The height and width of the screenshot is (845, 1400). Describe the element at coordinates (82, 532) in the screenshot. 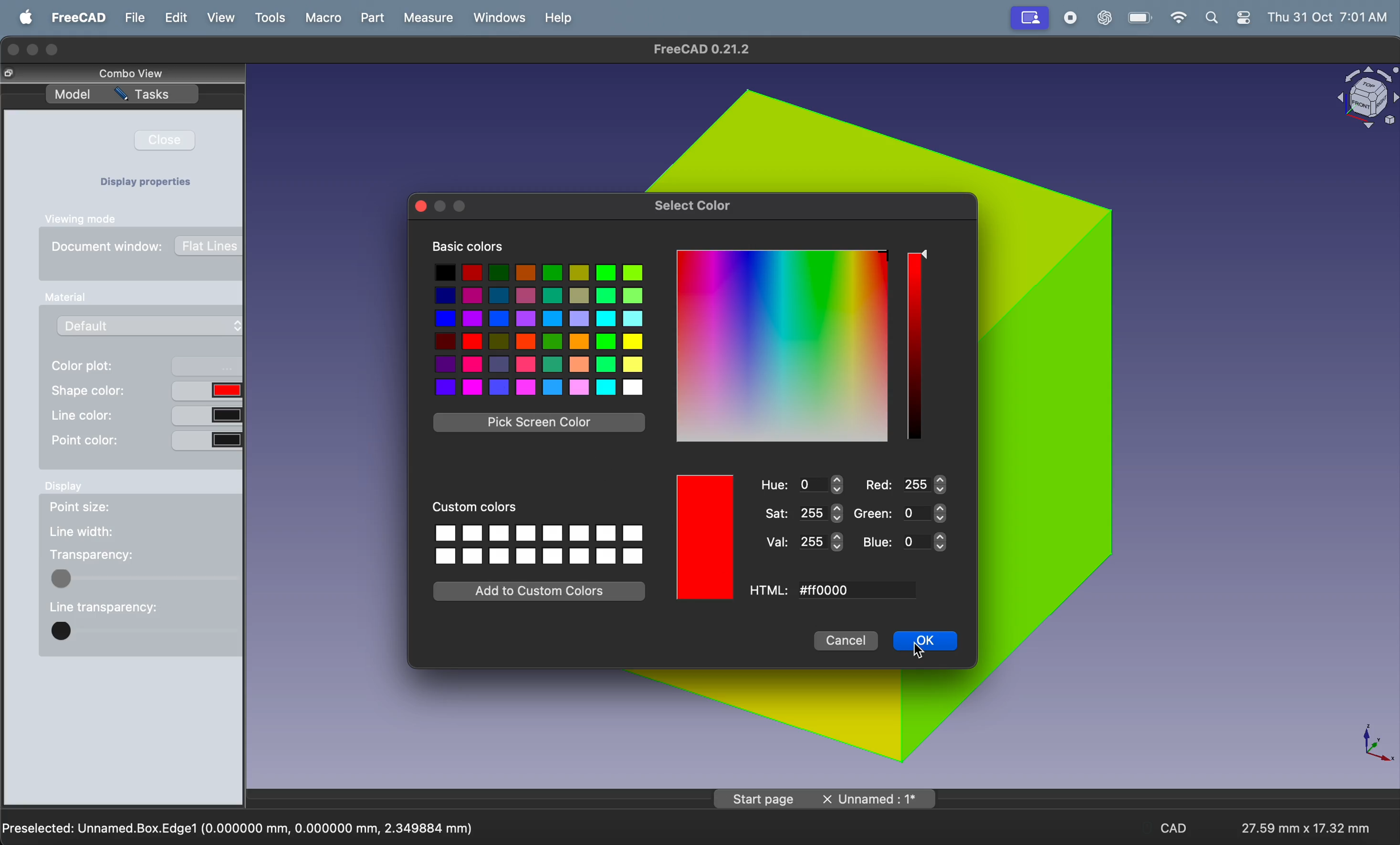

I see `line width` at that location.